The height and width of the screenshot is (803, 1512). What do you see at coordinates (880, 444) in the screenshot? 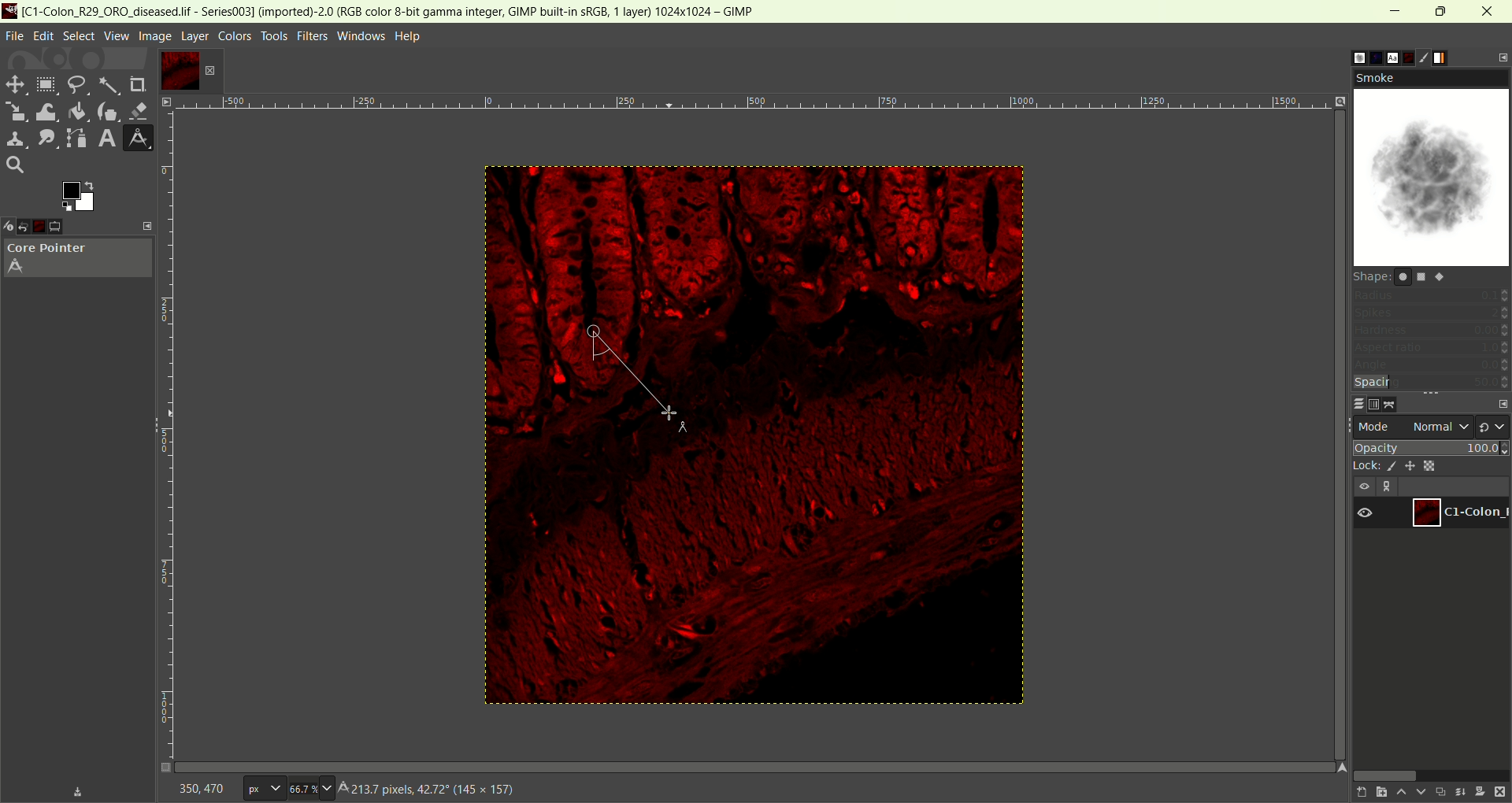
I see `image` at bounding box center [880, 444].